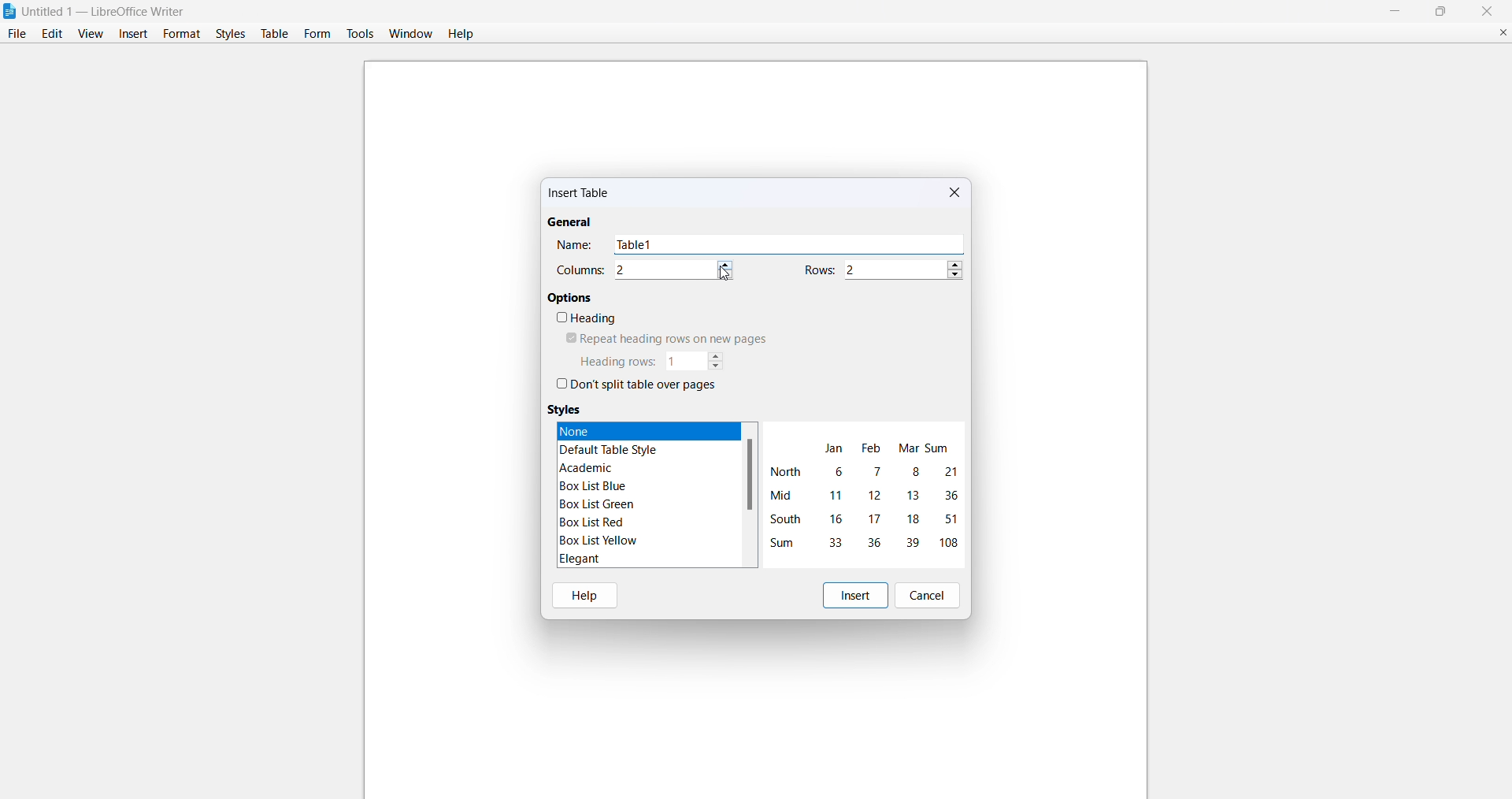 The image size is (1512, 799). Describe the element at coordinates (750, 475) in the screenshot. I see `scroll bar` at that location.